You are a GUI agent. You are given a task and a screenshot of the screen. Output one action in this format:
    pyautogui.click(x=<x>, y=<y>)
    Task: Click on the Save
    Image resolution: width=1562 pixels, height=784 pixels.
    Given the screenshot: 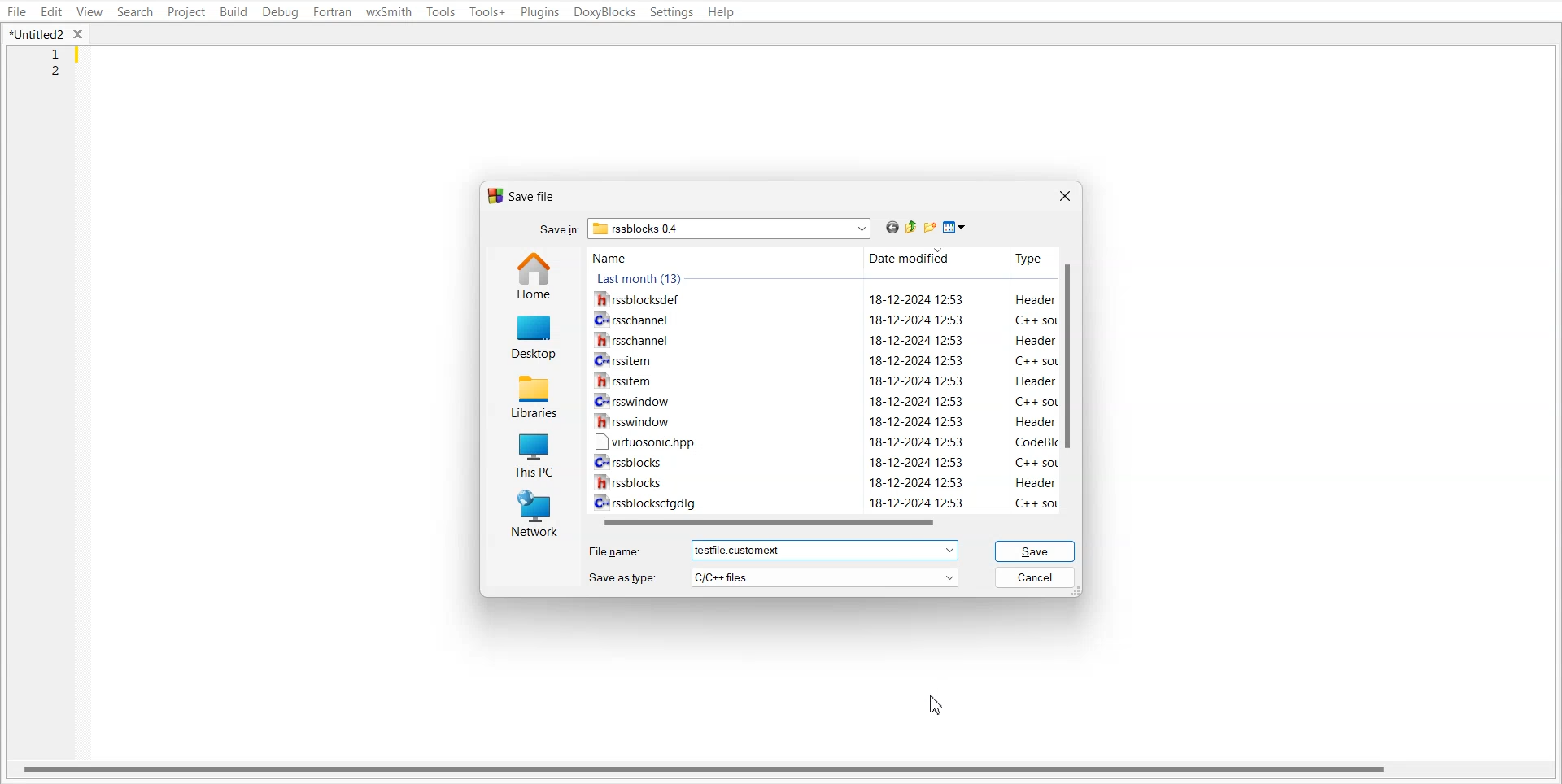 What is the action you would take?
    pyautogui.click(x=1034, y=551)
    